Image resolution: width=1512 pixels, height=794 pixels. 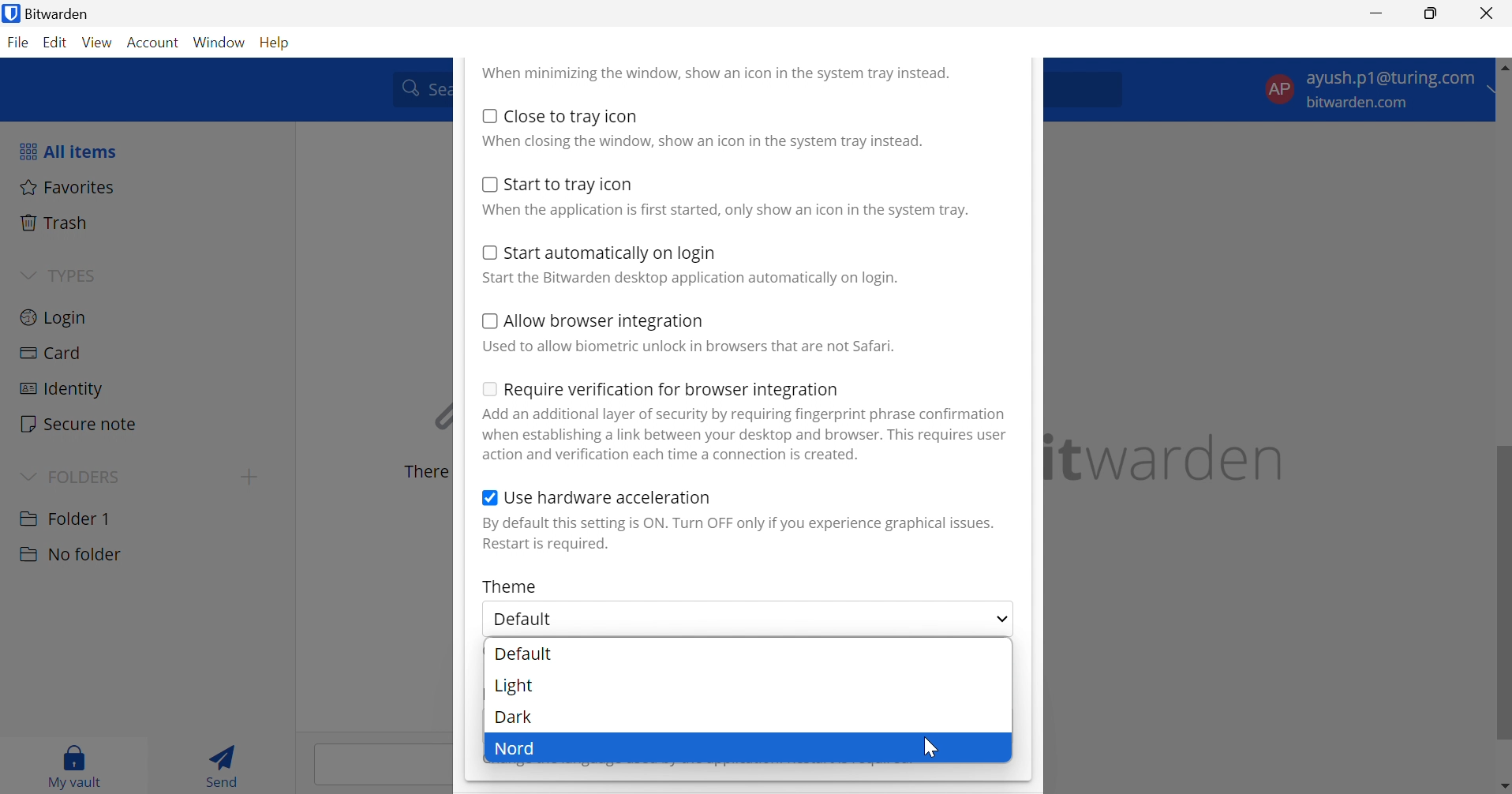 I want to click on Used to allow biometric unlock in browsers that are not Safari, so click(x=688, y=346).